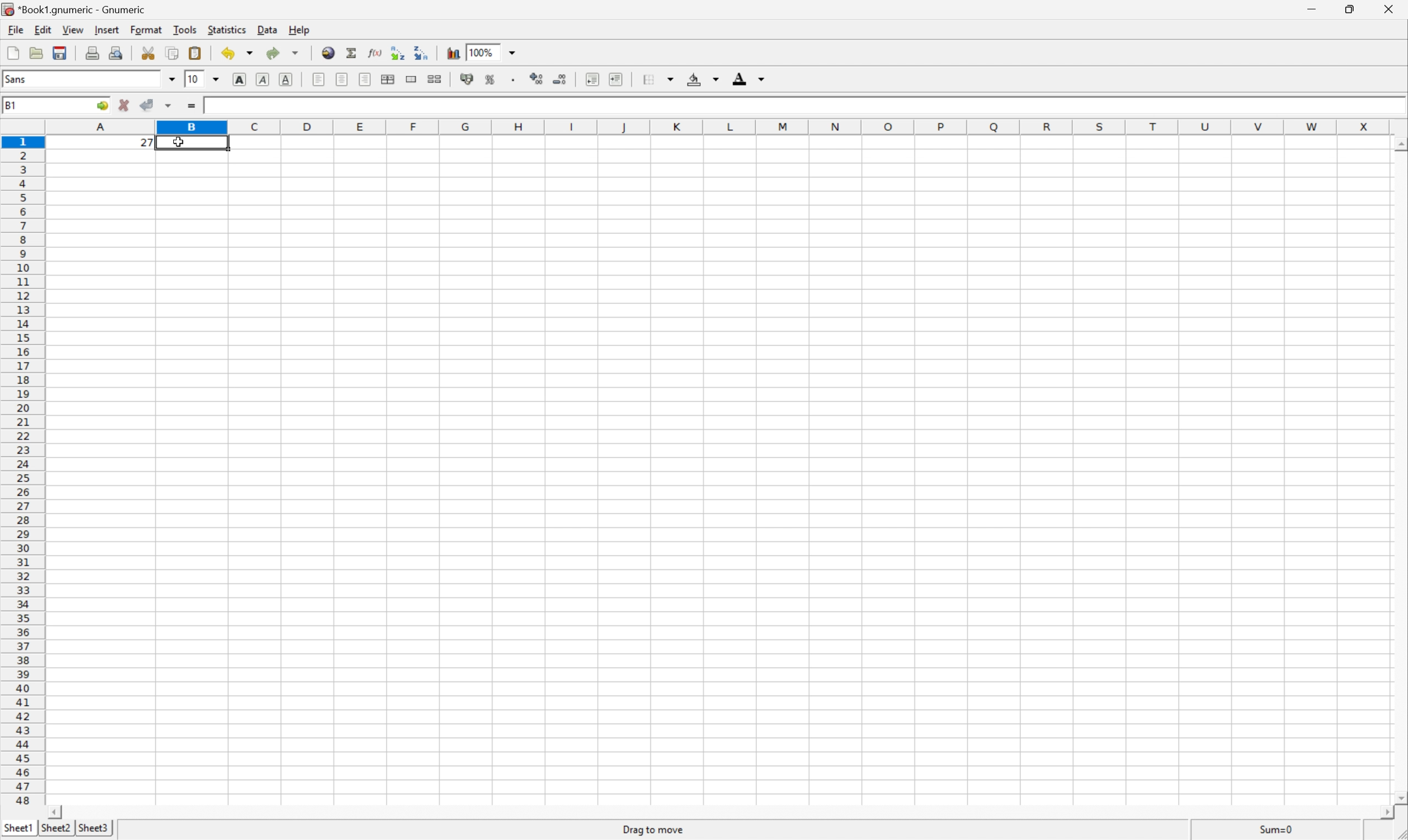  What do you see at coordinates (657, 78) in the screenshot?
I see `Borders` at bounding box center [657, 78].